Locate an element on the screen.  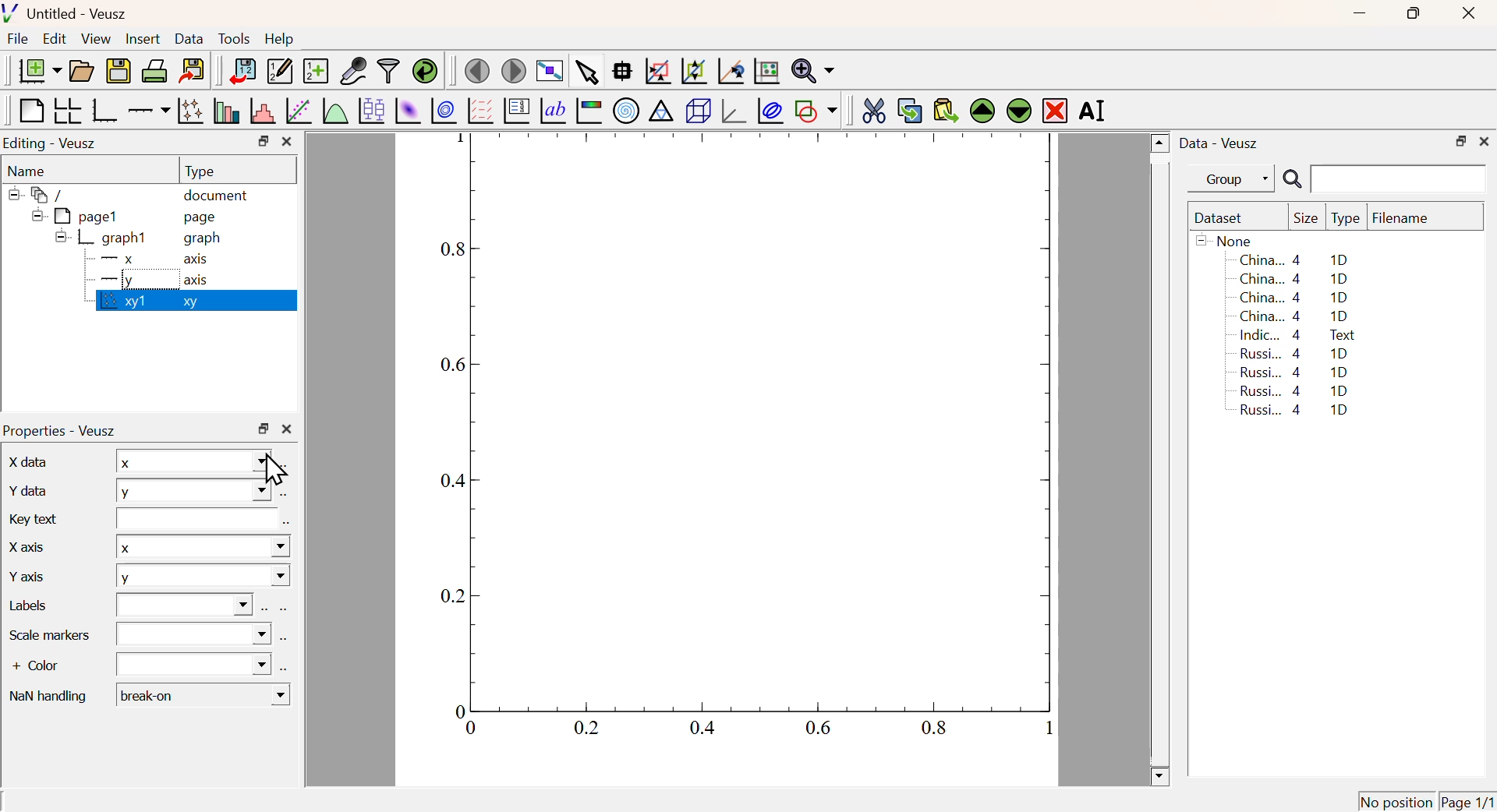
page is located at coordinates (203, 217).